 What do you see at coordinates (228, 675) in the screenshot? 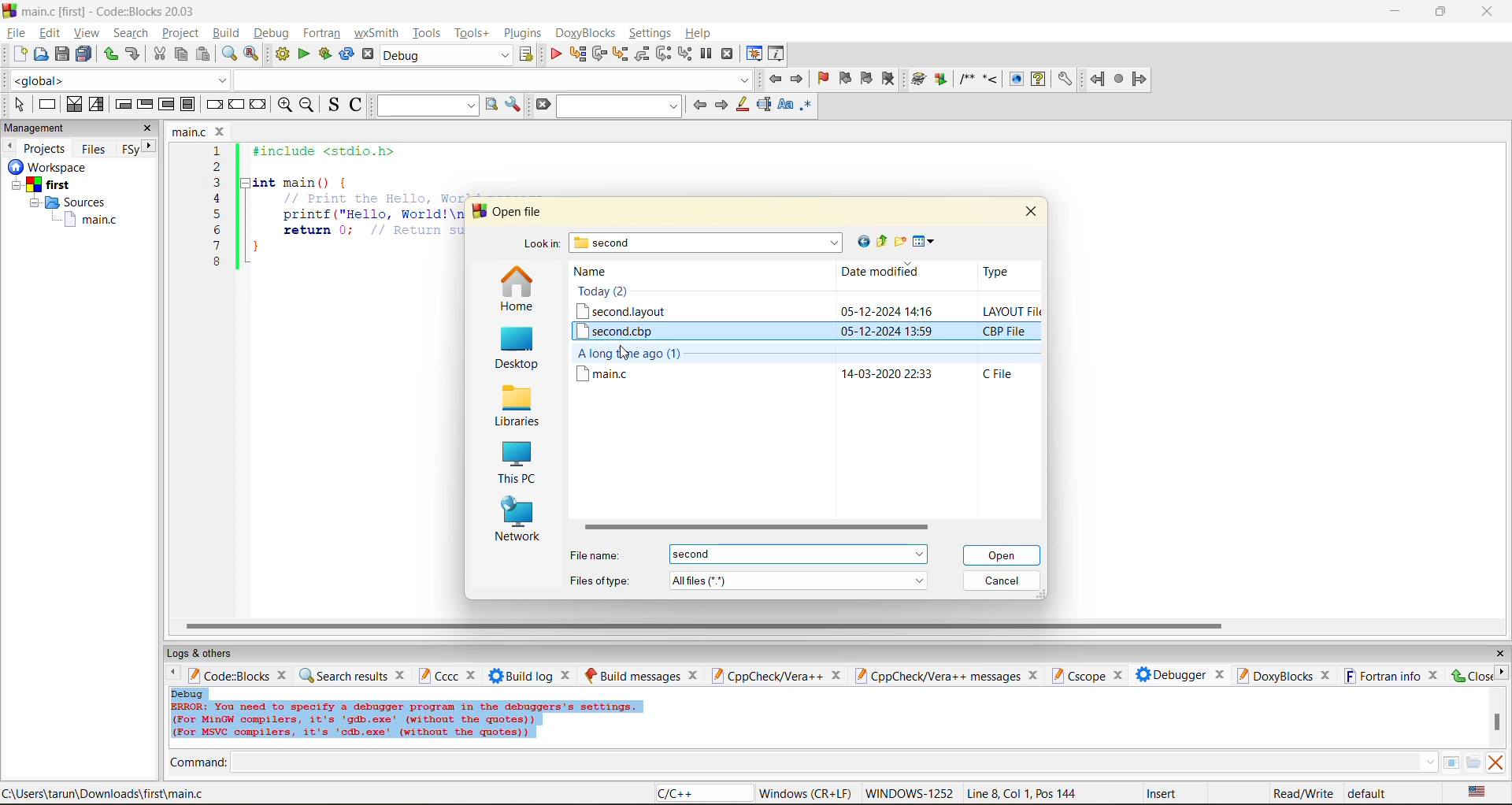
I see `code:blocks` at bounding box center [228, 675].